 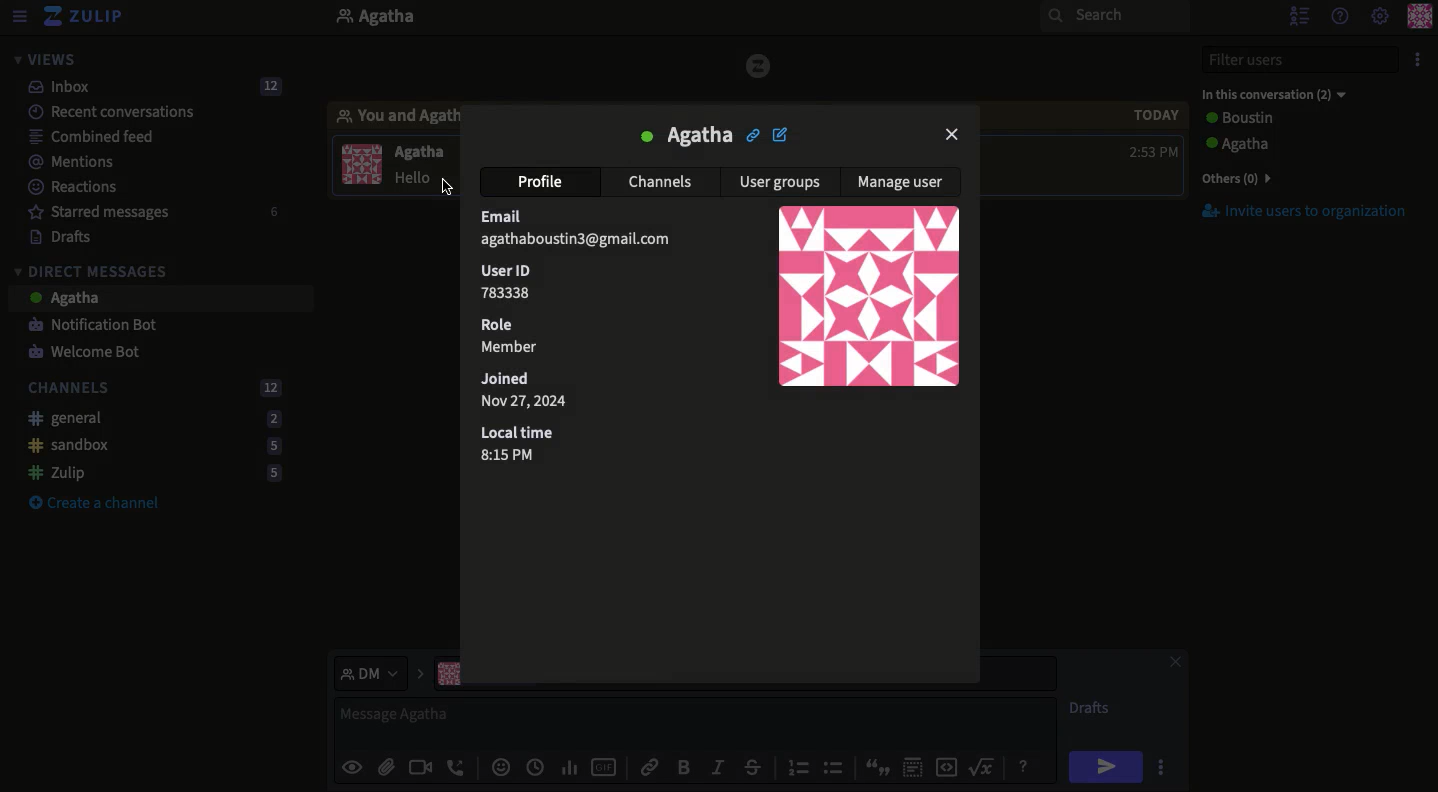 I want to click on General, so click(x=155, y=419).